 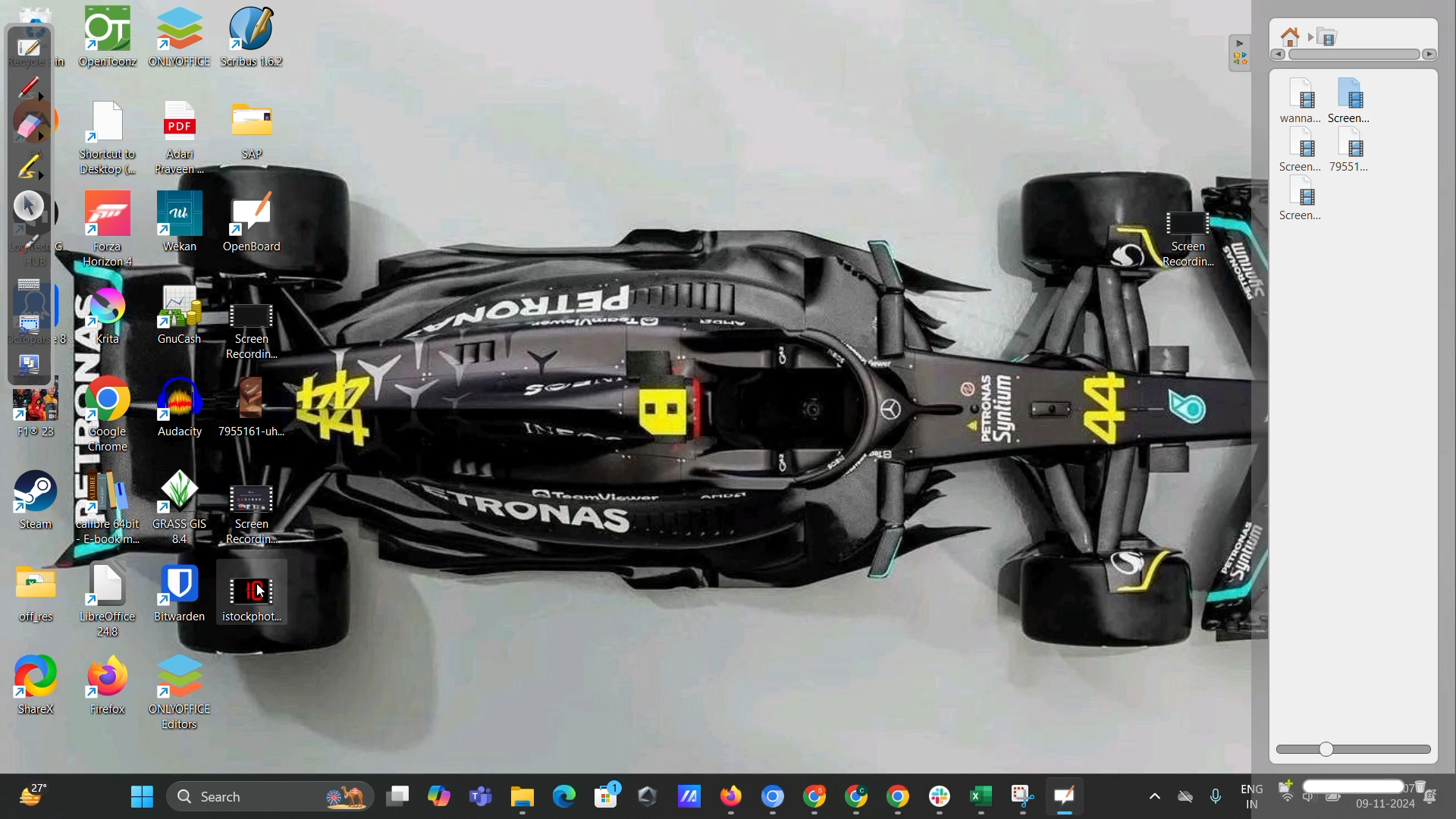 What do you see at coordinates (1147, 795) in the screenshot?
I see `Show hidden icons` at bounding box center [1147, 795].